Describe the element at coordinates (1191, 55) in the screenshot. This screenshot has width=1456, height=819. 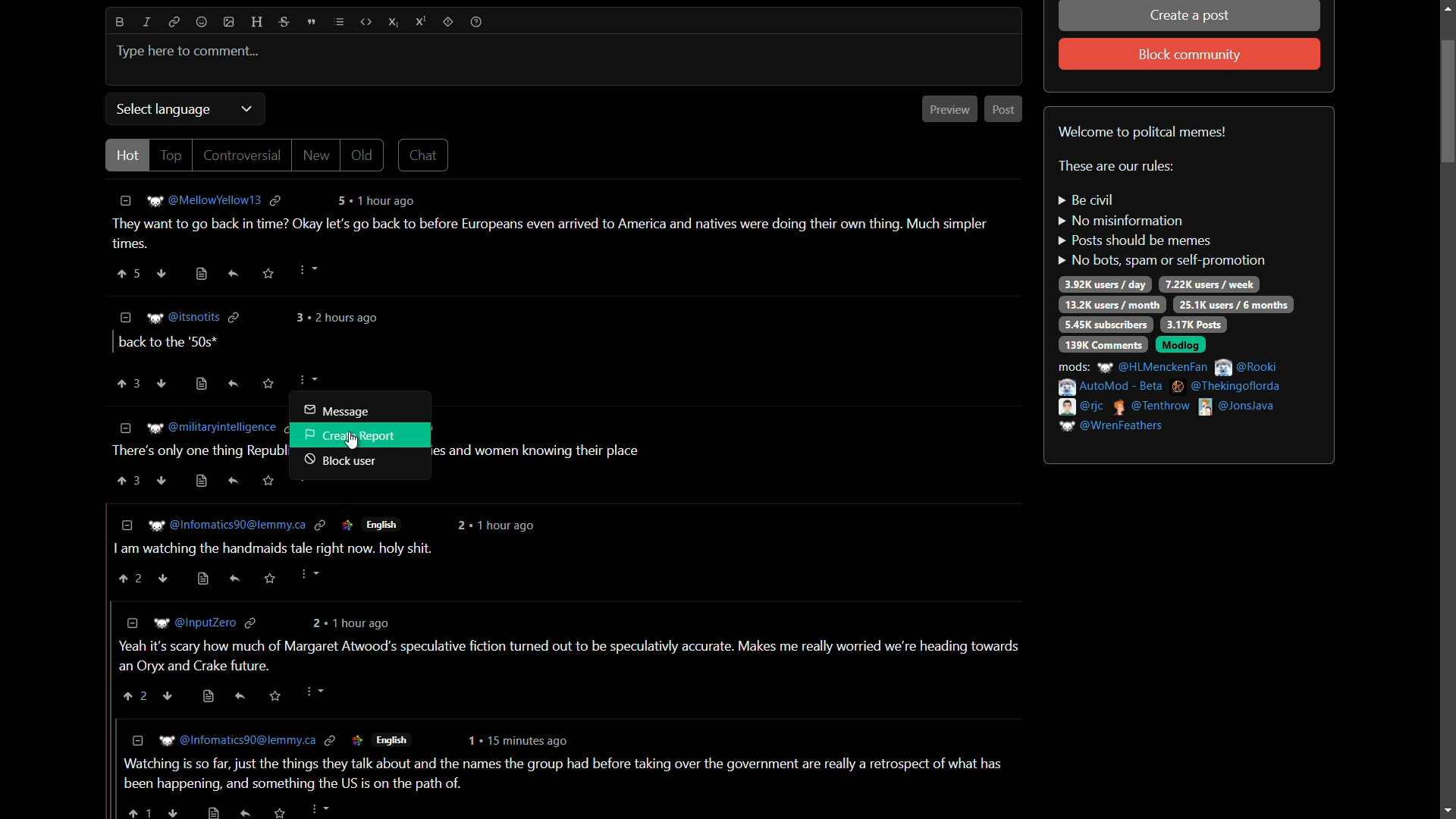
I see `block community` at that location.